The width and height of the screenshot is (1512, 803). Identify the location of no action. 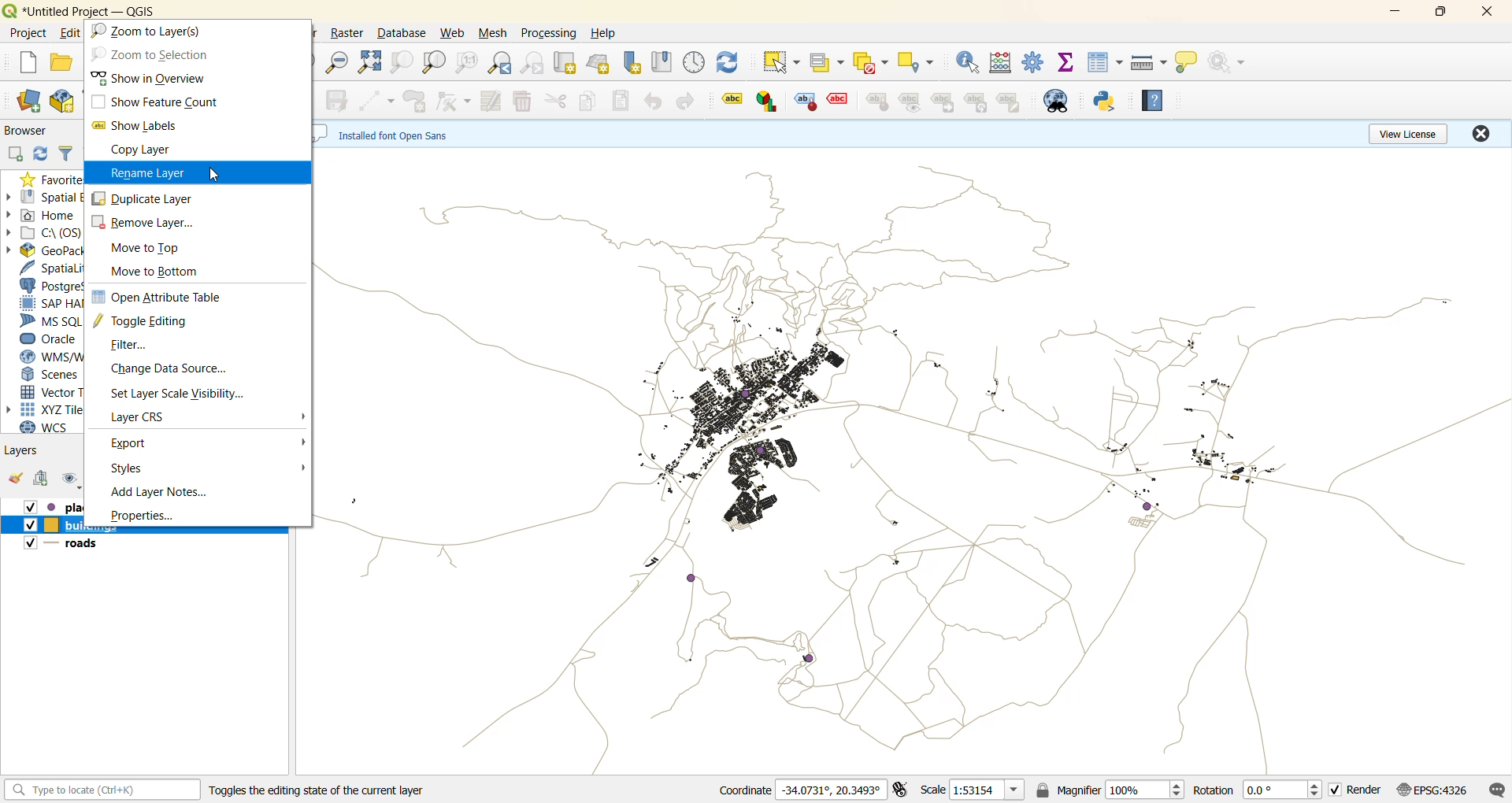
(1231, 64).